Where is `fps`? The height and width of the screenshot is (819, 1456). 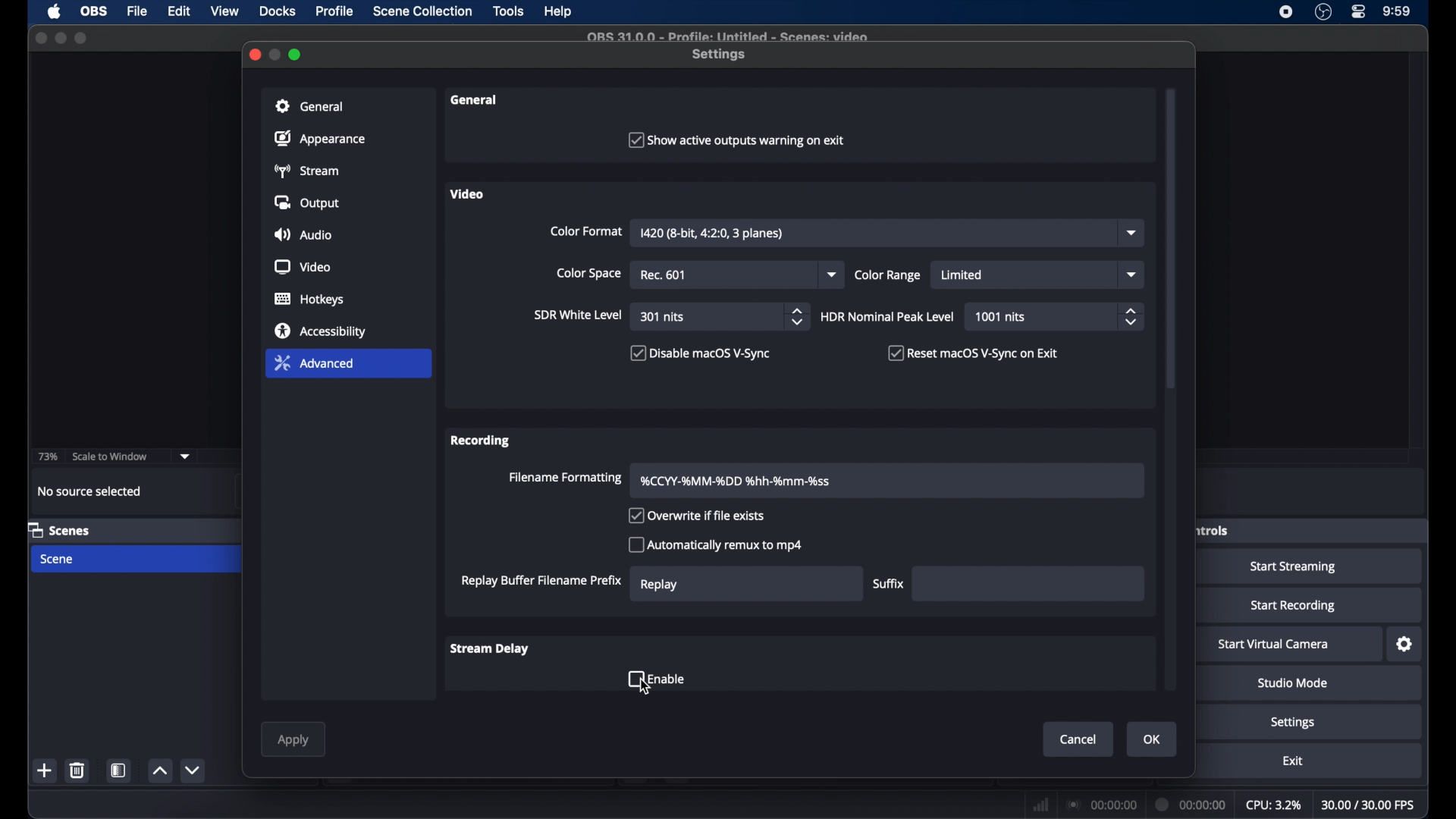
fps is located at coordinates (1370, 805).